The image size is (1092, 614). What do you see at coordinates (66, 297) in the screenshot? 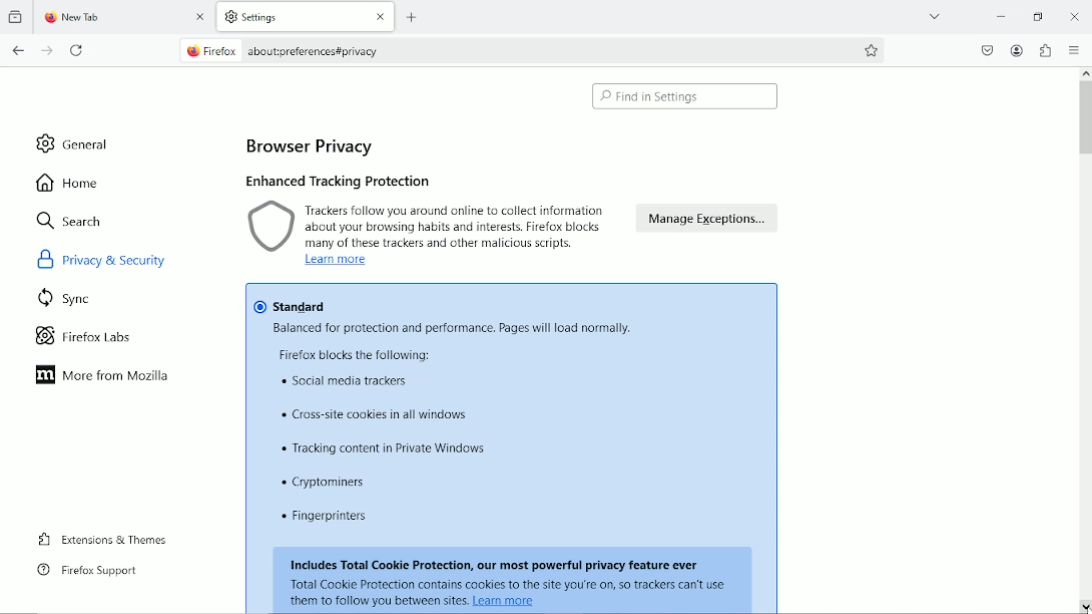
I see `sync` at bounding box center [66, 297].